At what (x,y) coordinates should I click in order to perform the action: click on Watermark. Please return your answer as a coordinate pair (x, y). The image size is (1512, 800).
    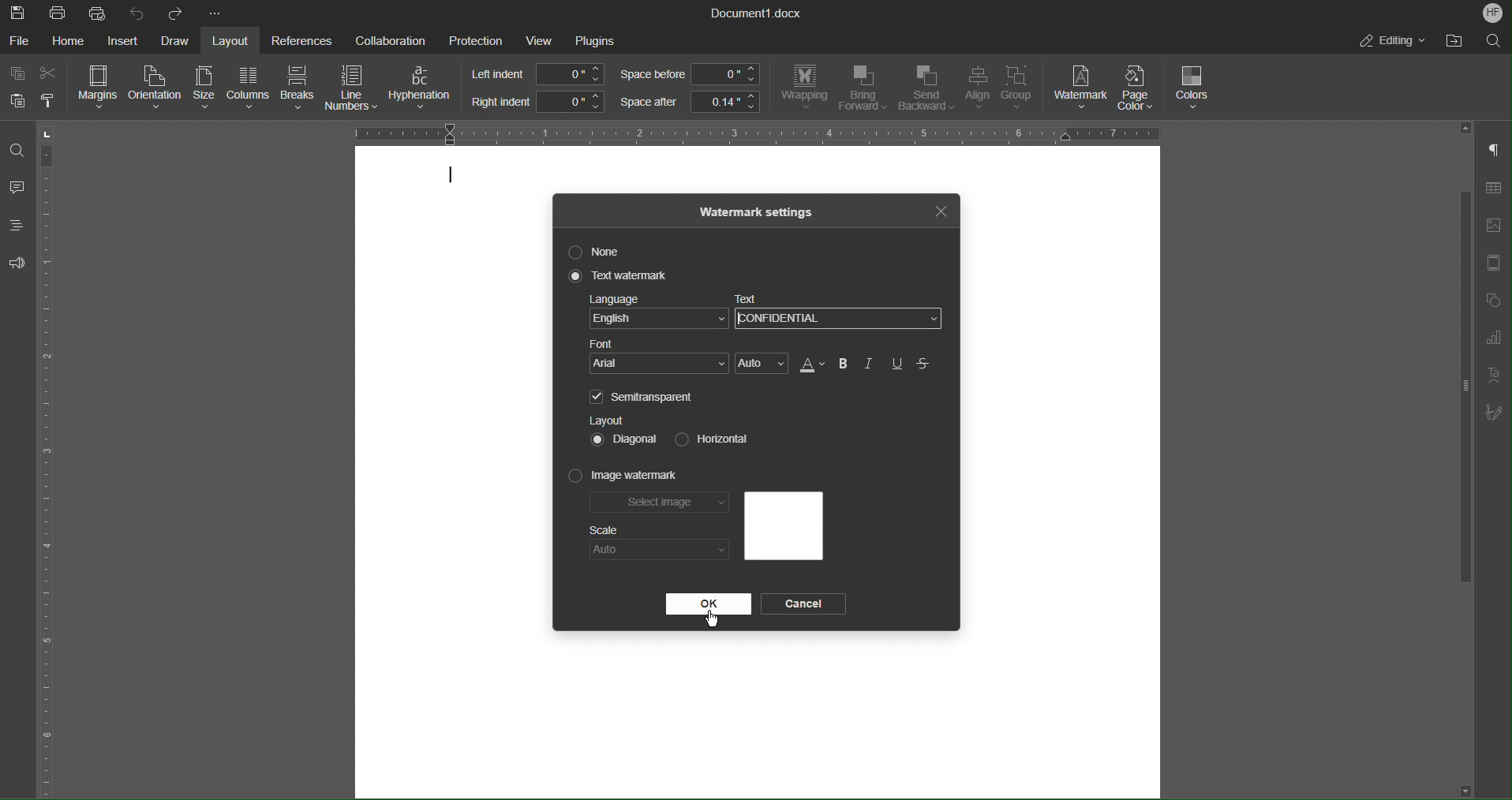
    Looking at the image, I should click on (1081, 88).